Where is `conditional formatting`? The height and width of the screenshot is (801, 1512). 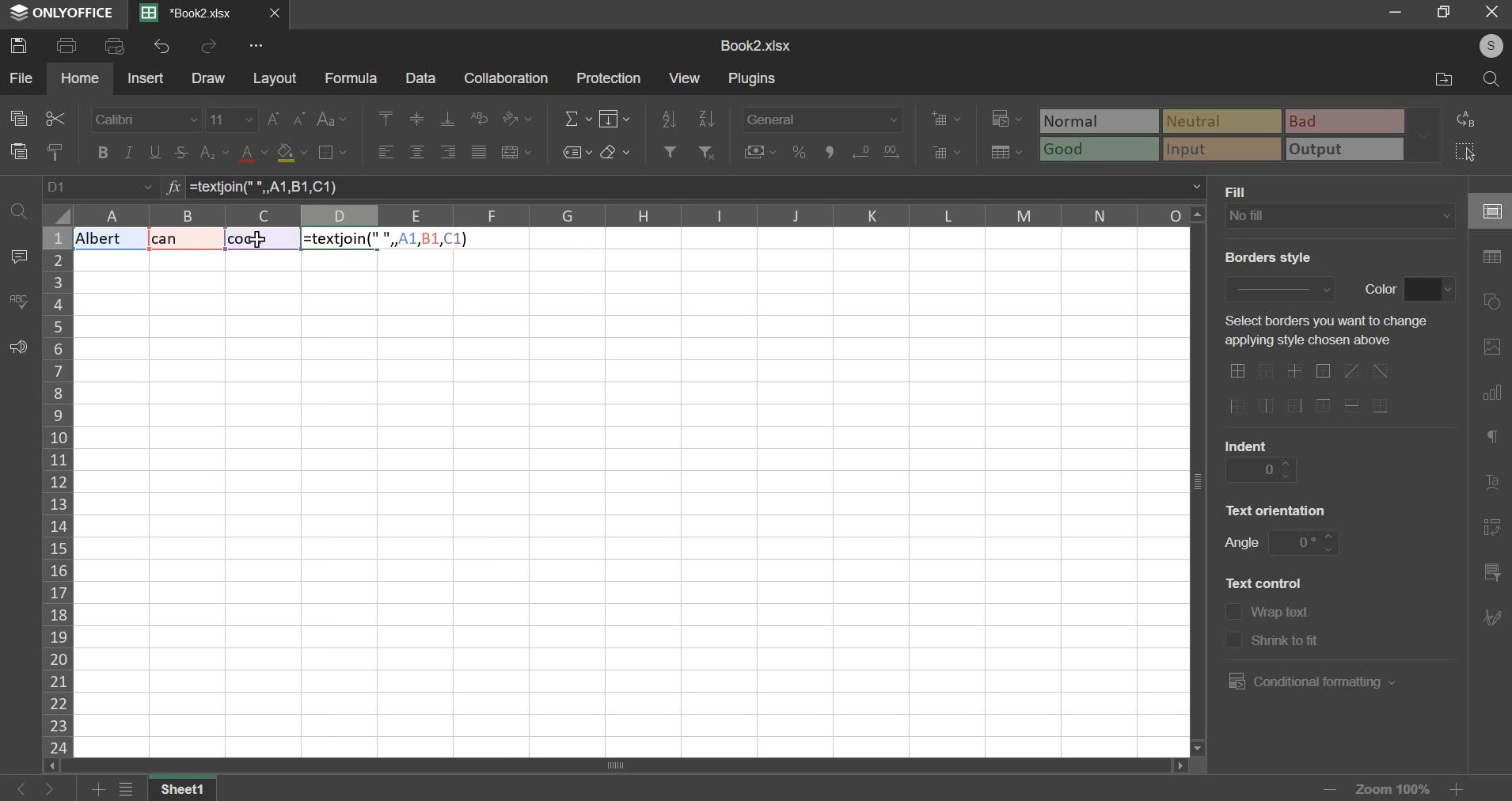 conditional formatting is located at coordinates (1309, 681).